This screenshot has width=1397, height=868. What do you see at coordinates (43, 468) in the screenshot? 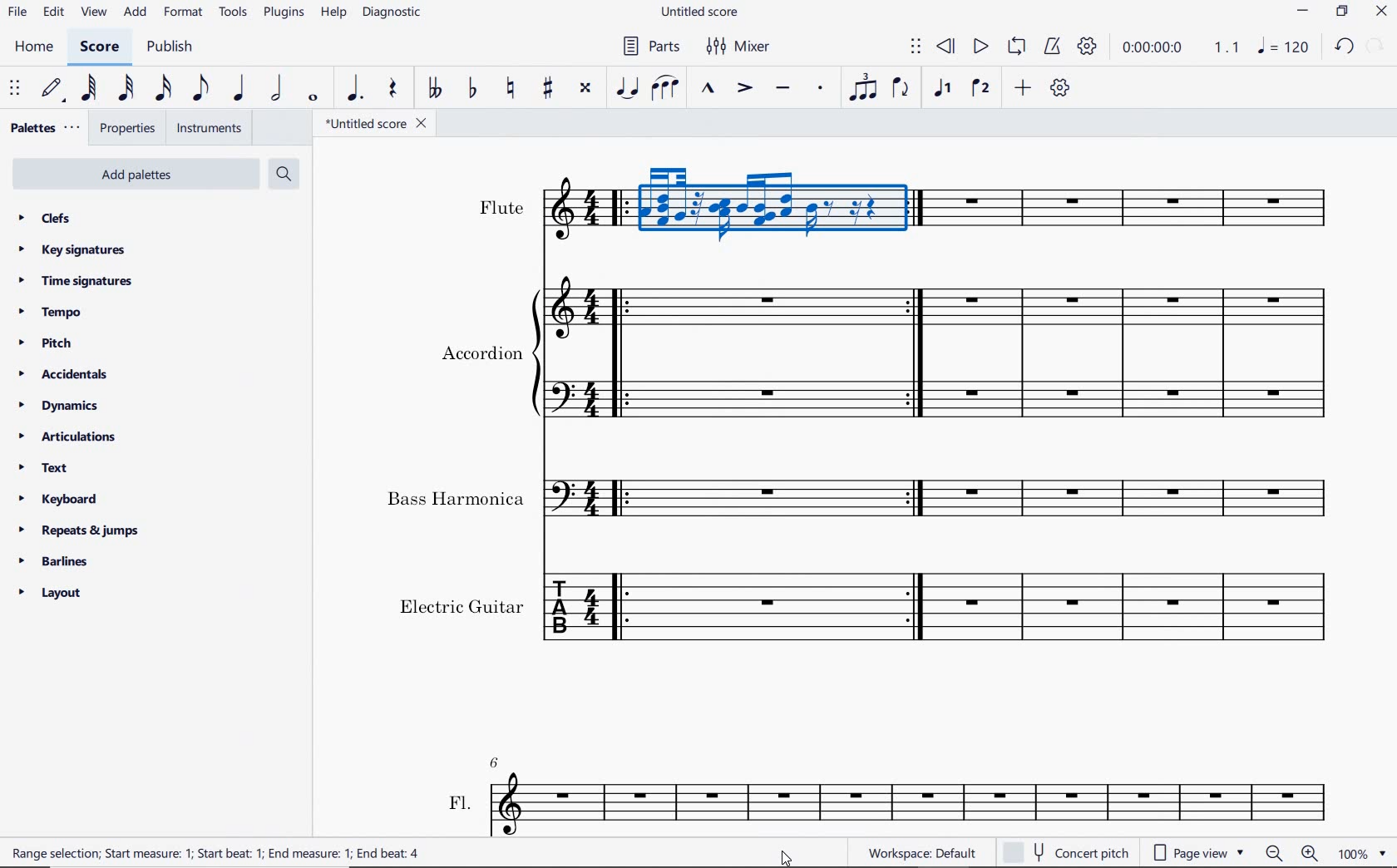
I see `text` at bounding box center [43, 468].